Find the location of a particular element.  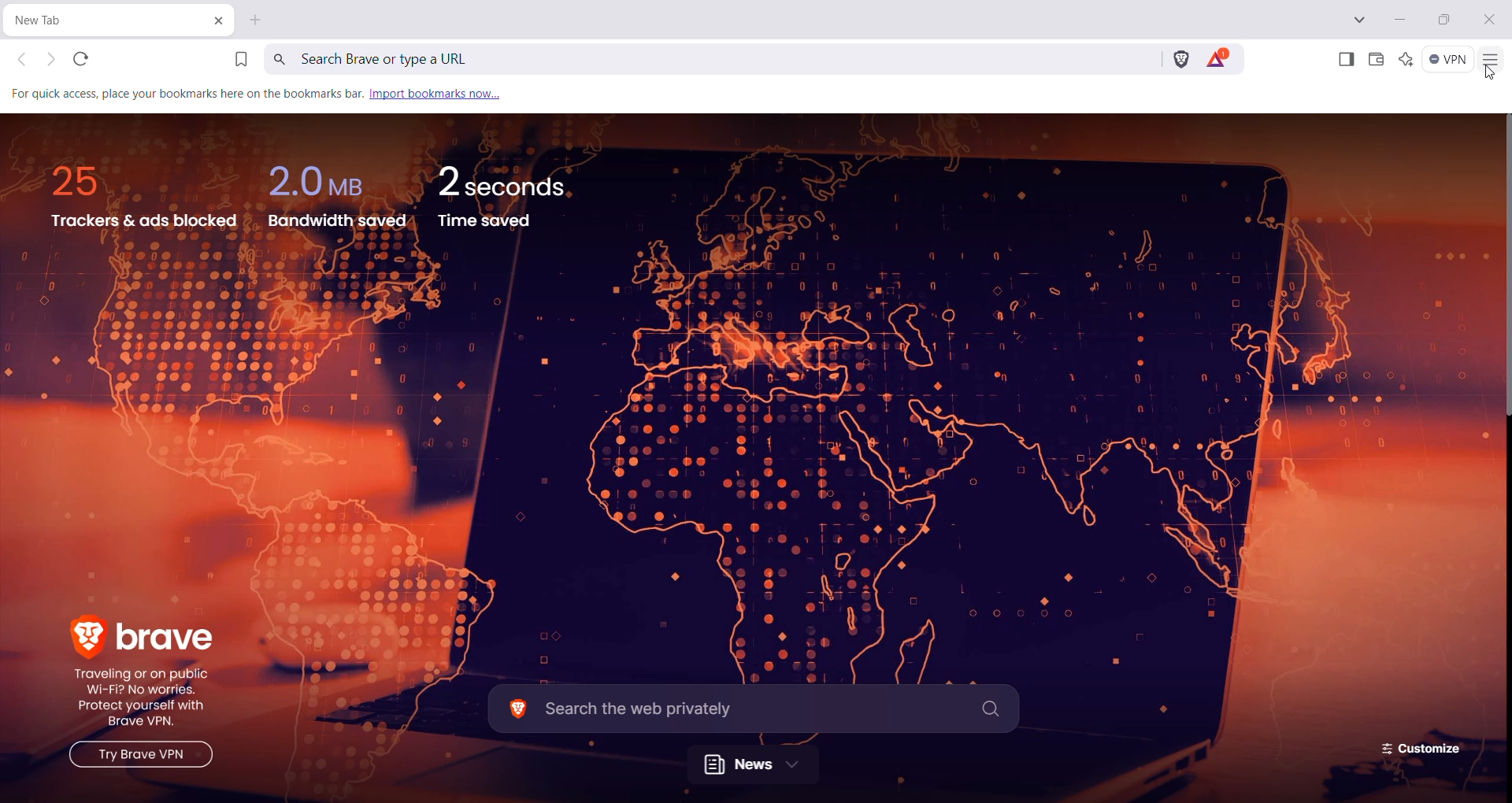

Show Sidebar is located at coordinates (1344, 59).